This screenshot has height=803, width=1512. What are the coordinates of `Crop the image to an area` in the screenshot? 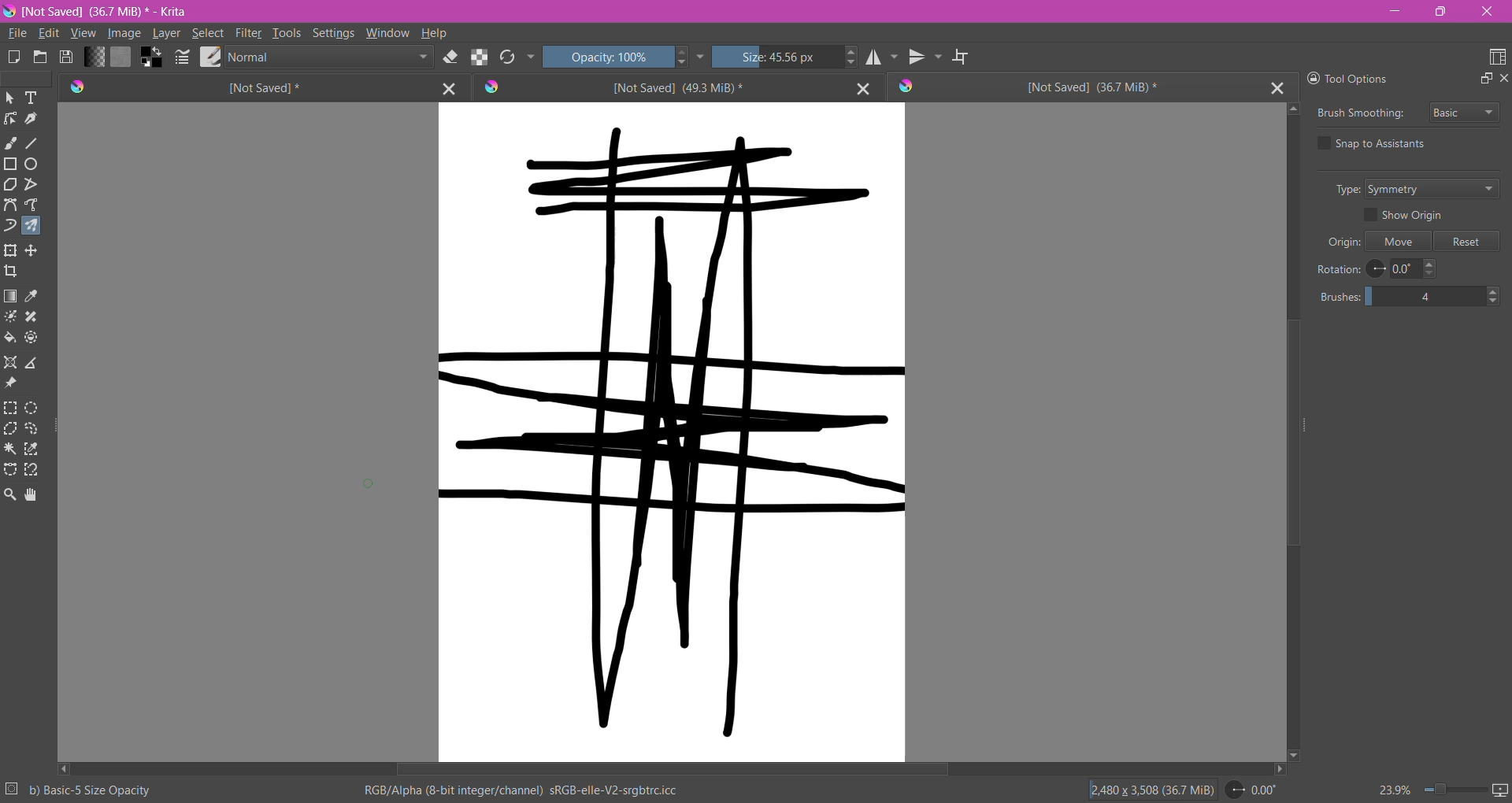 It's located at (12, 272).